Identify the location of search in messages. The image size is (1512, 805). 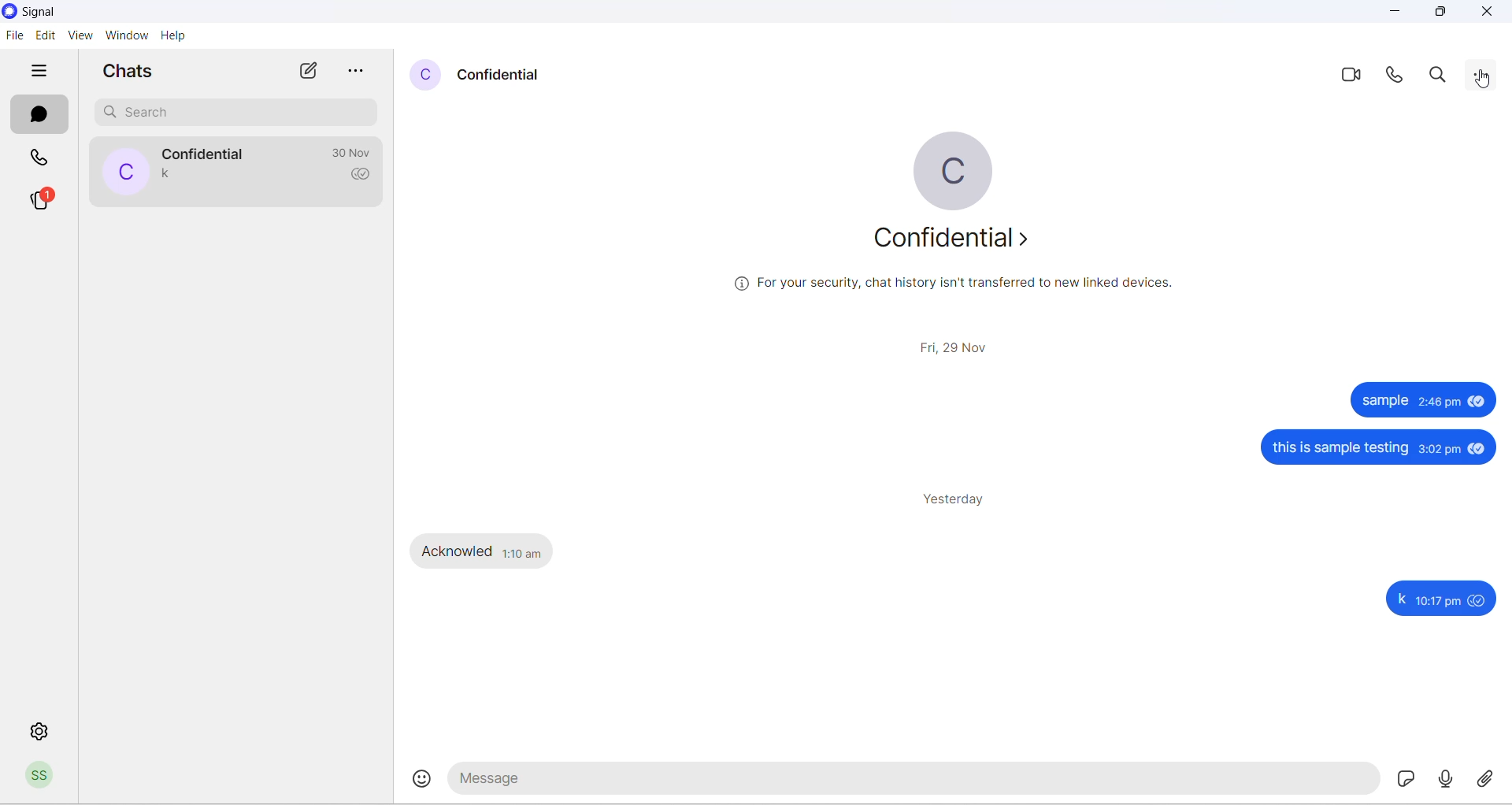
(1442, 75).